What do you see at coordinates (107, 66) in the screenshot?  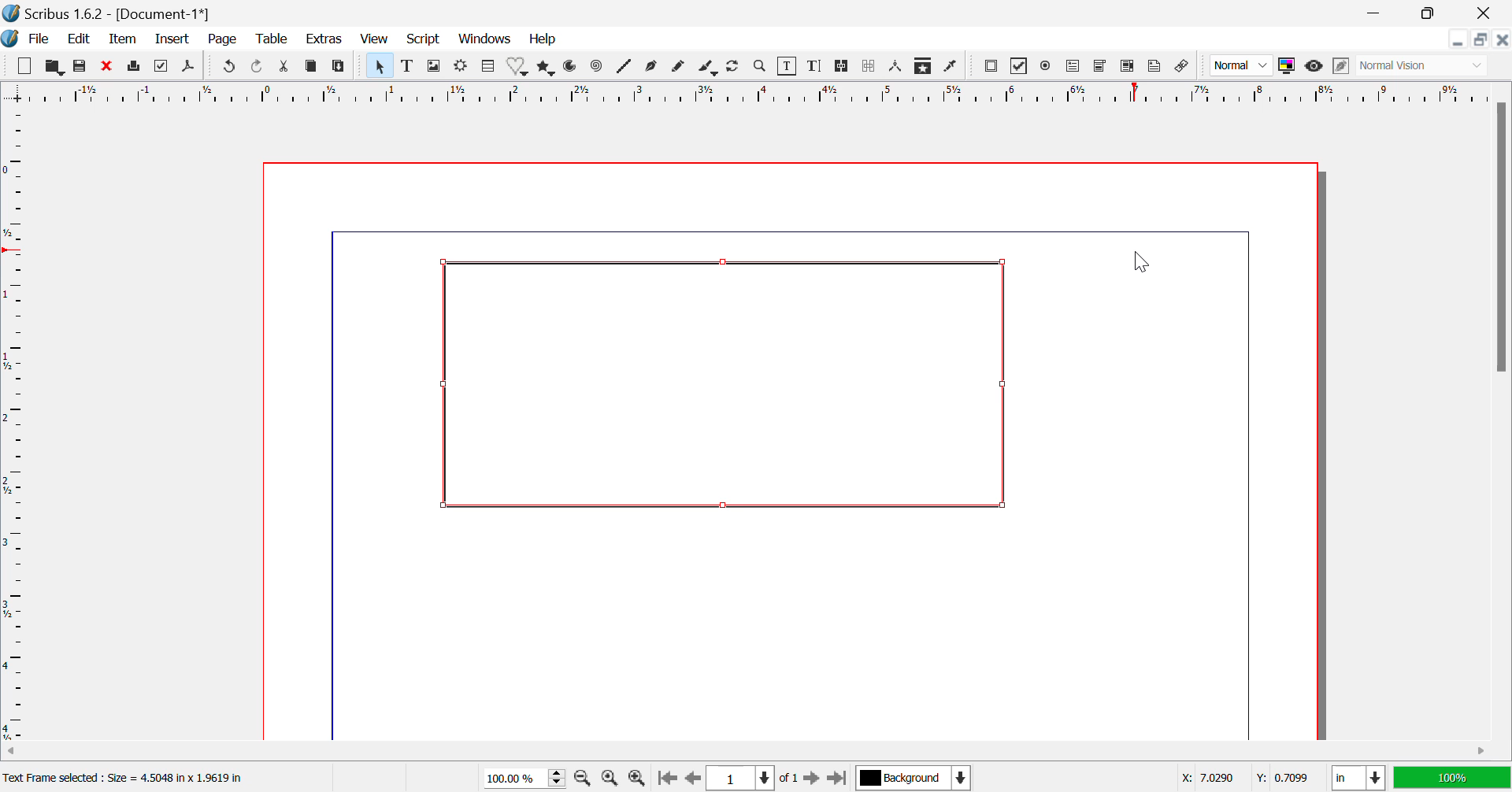 I see `Discard` at bounding box center [107, 66].